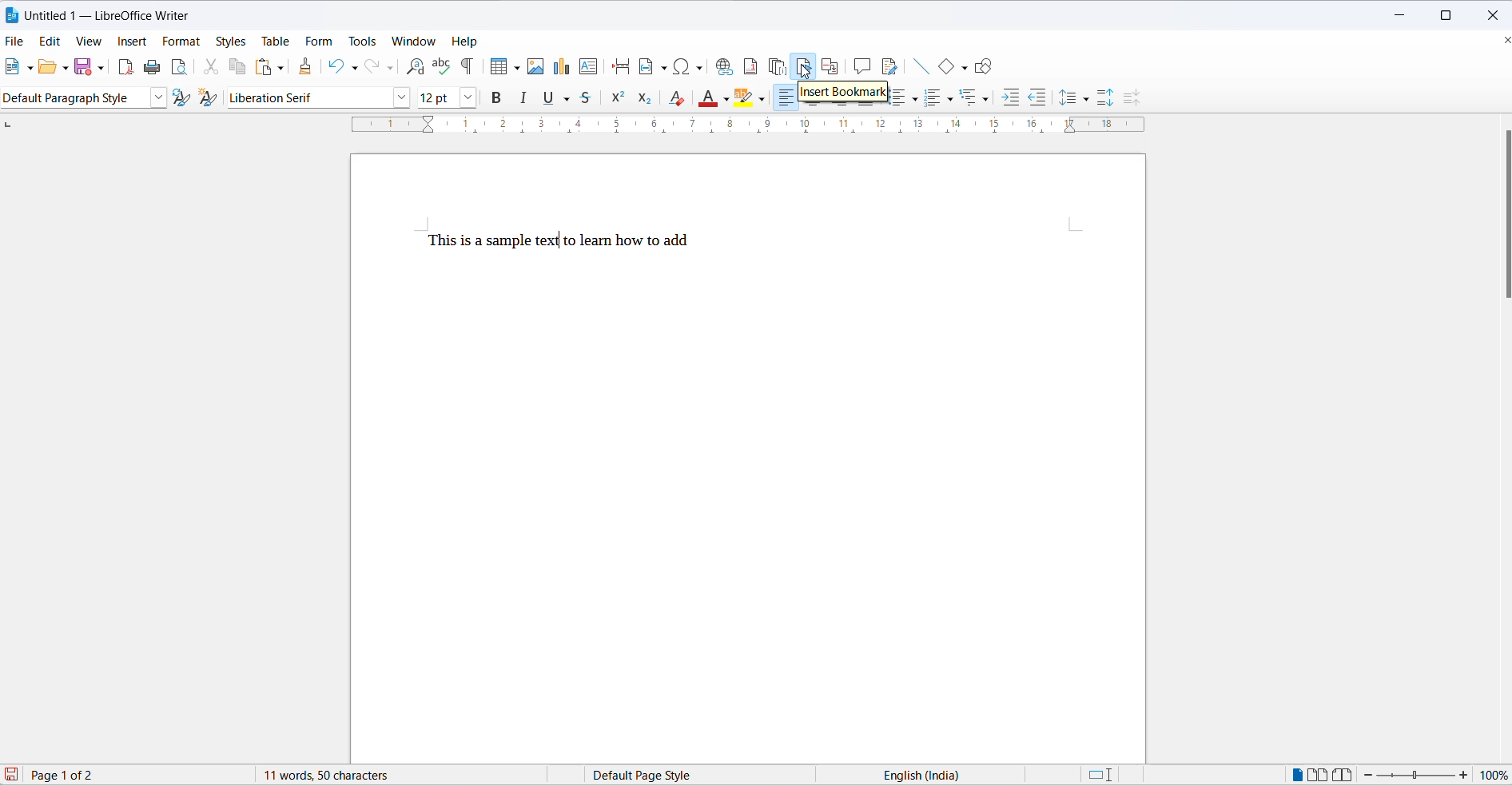 This screenshot has width=1512, height=786. I want to click on vertical scrollbar, so click(1502, 215).